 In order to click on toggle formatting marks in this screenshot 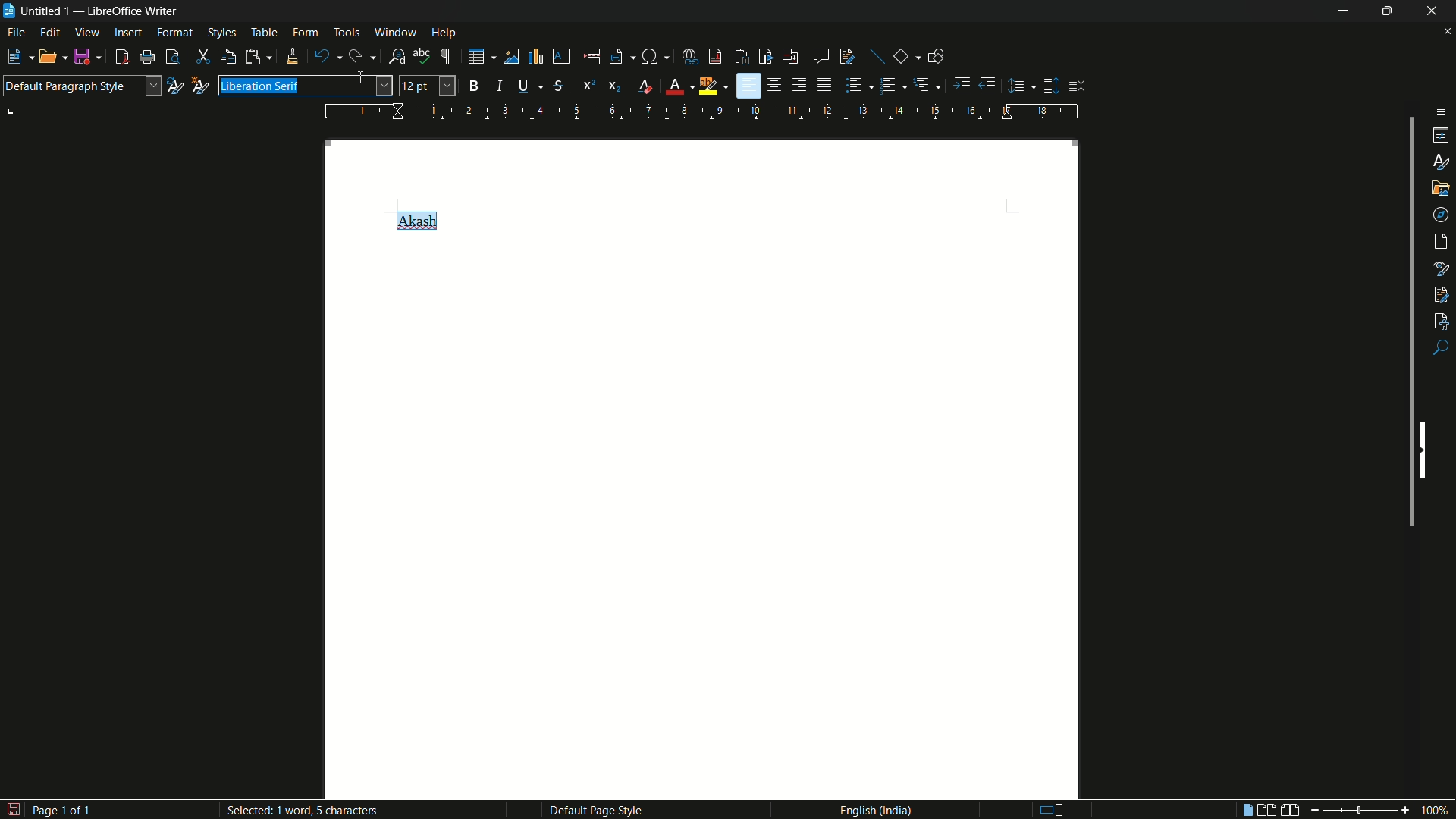, I will do `click(447, 57)`.